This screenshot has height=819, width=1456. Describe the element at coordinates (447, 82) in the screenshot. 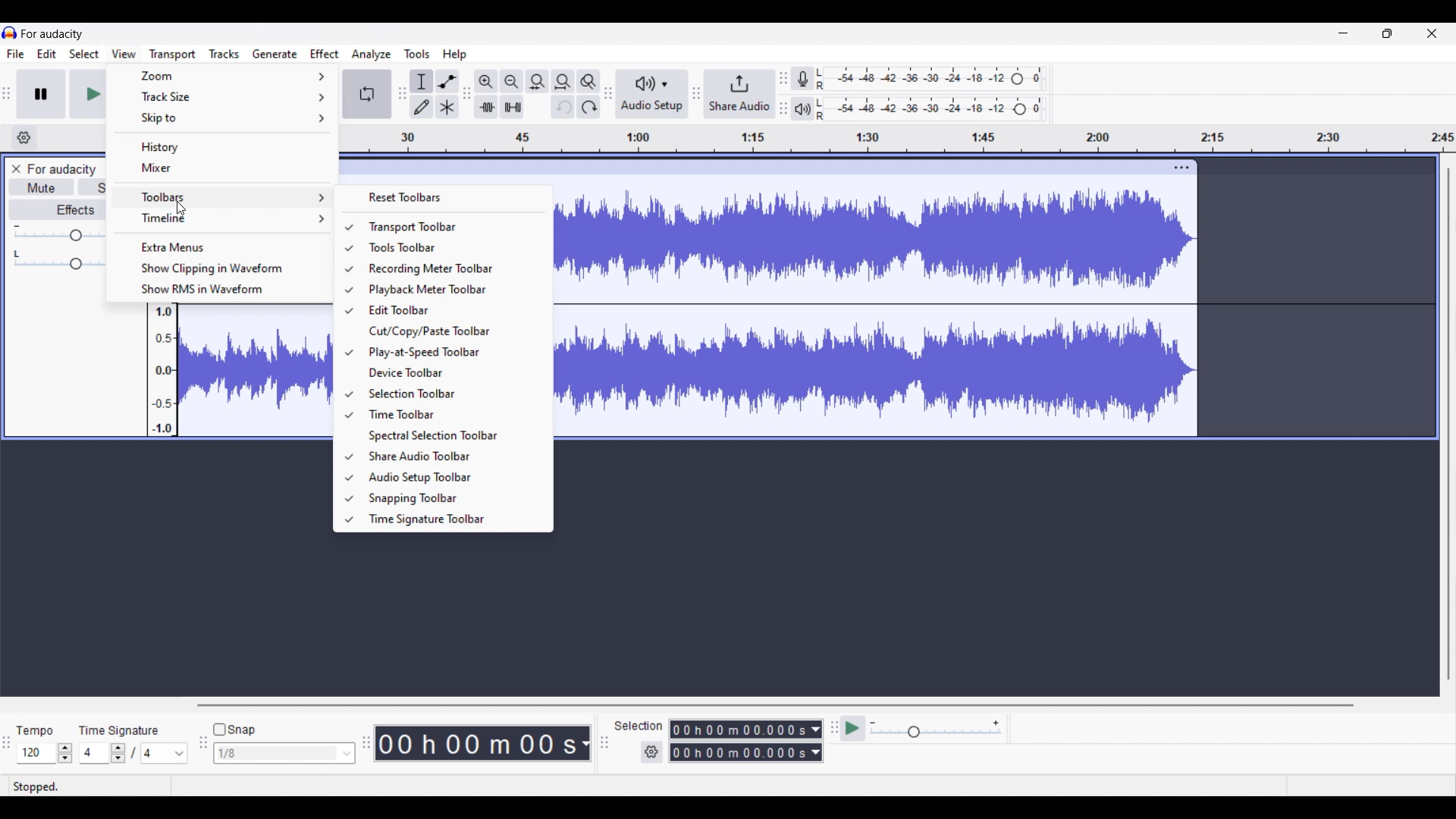

I see `Envelop tool` at that location.